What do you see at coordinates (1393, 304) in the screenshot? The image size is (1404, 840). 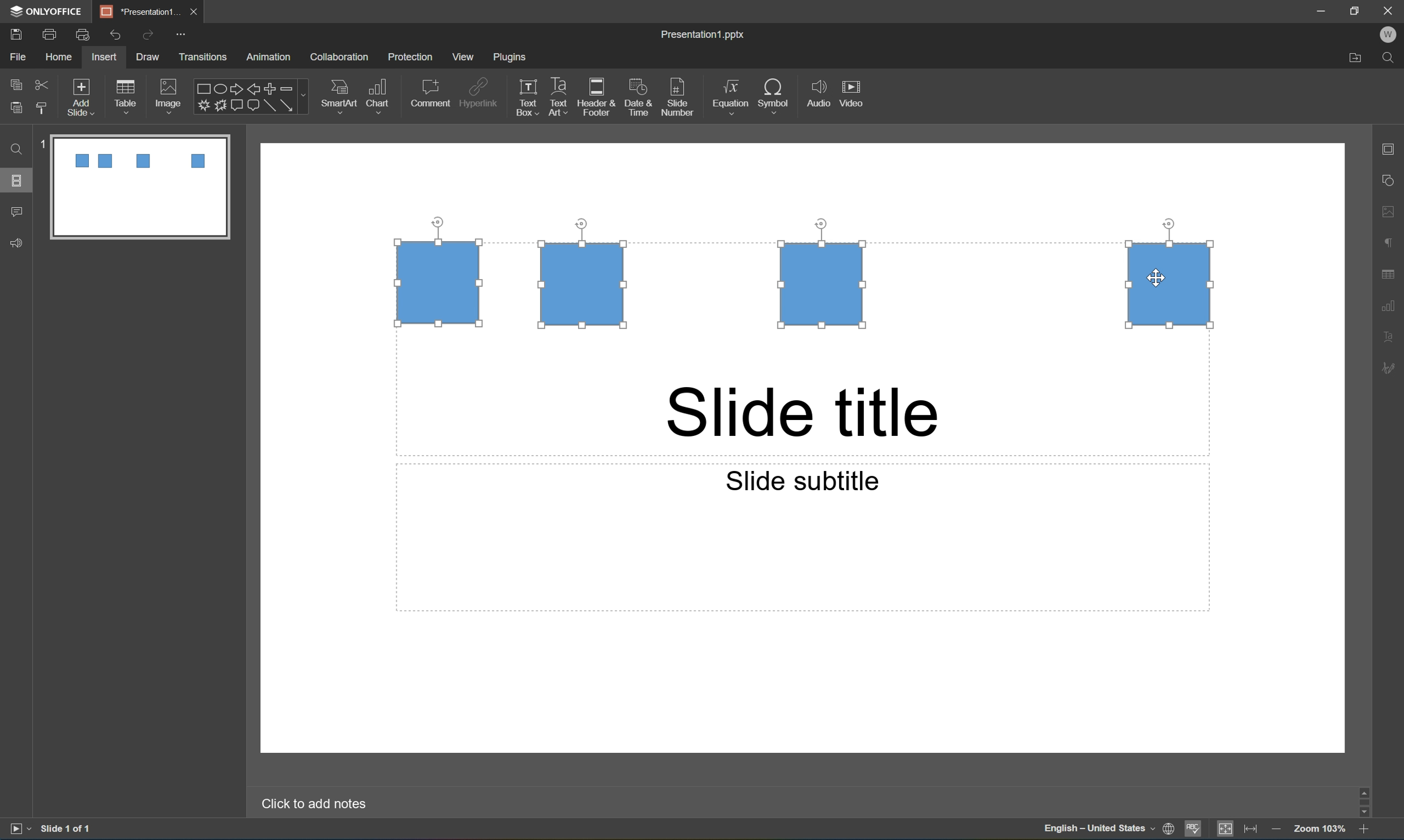 I see `chart settings` at bounding box center [1393, 304].